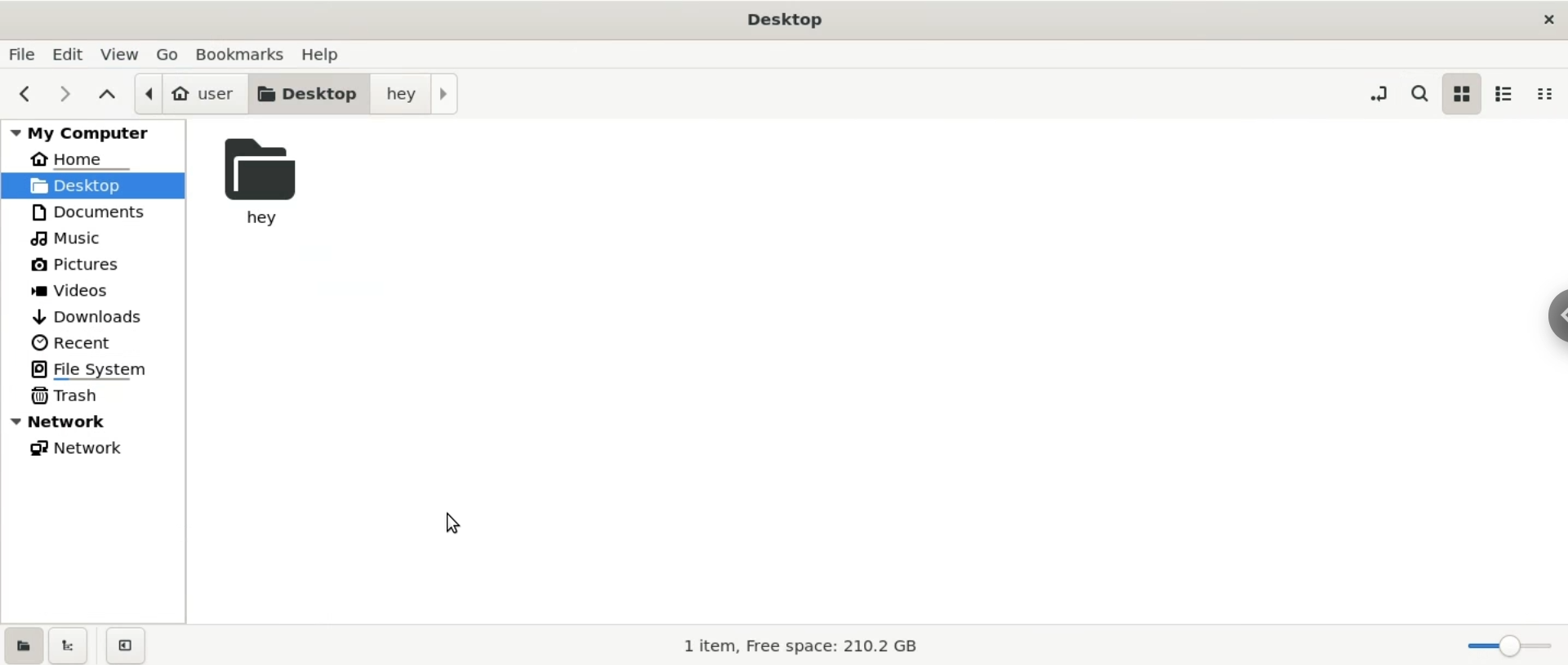 The width and height of the screenshot is (1568, 665). Describe the element at coordinates (414, 91) in the screenshot. I see `hey` at that location.